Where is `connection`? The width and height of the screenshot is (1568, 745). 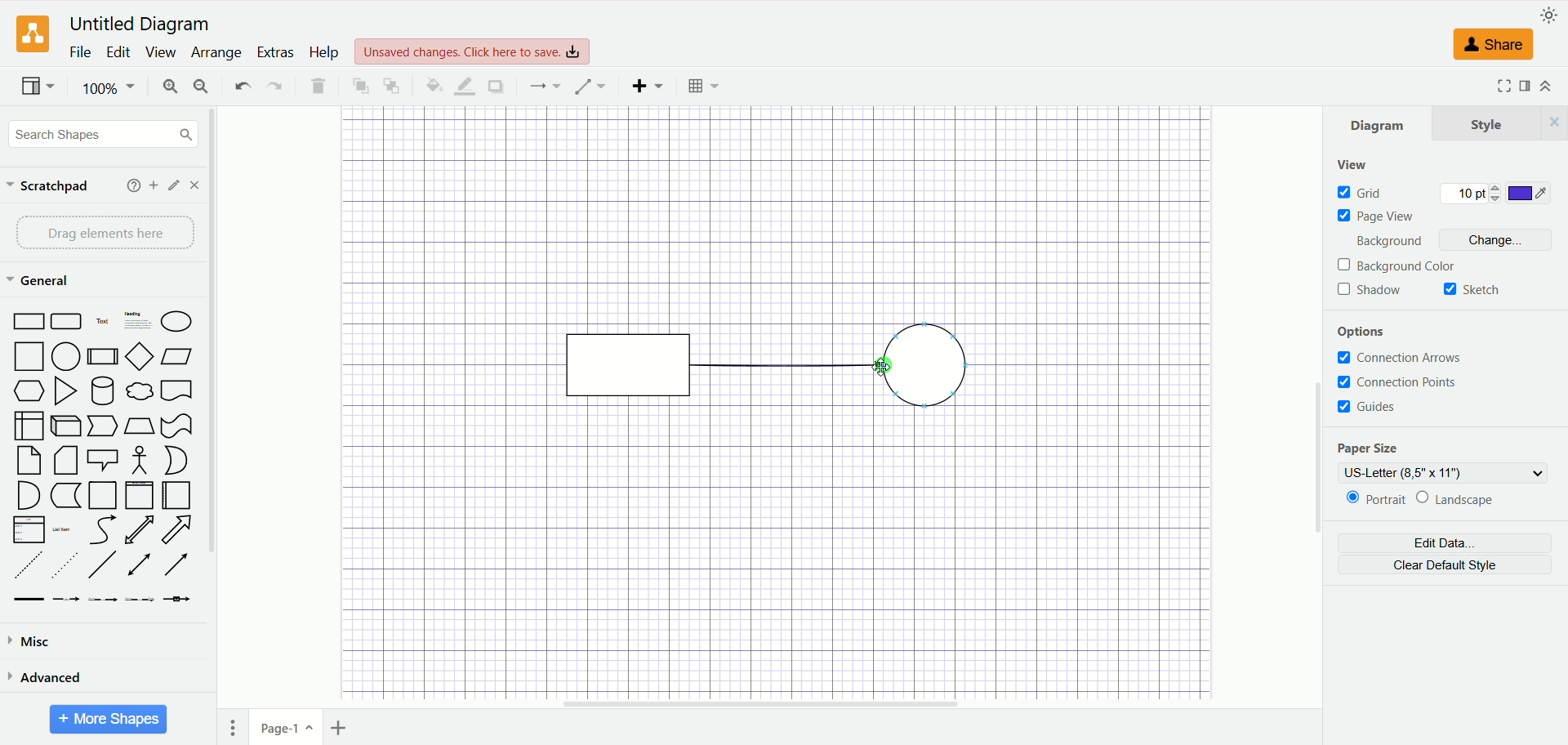 connection is located at coordinates (545, 85).